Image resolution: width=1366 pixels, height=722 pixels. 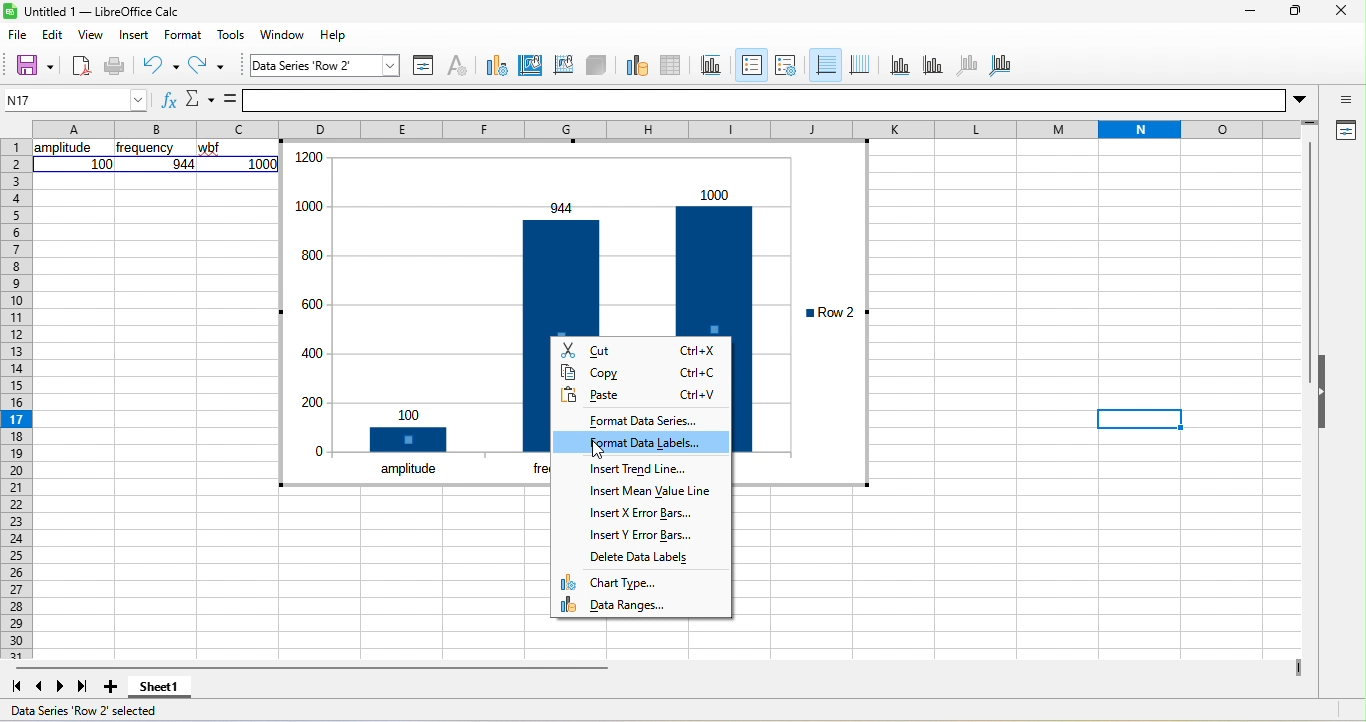 I want to click on cut, so click(x=639, y=350).